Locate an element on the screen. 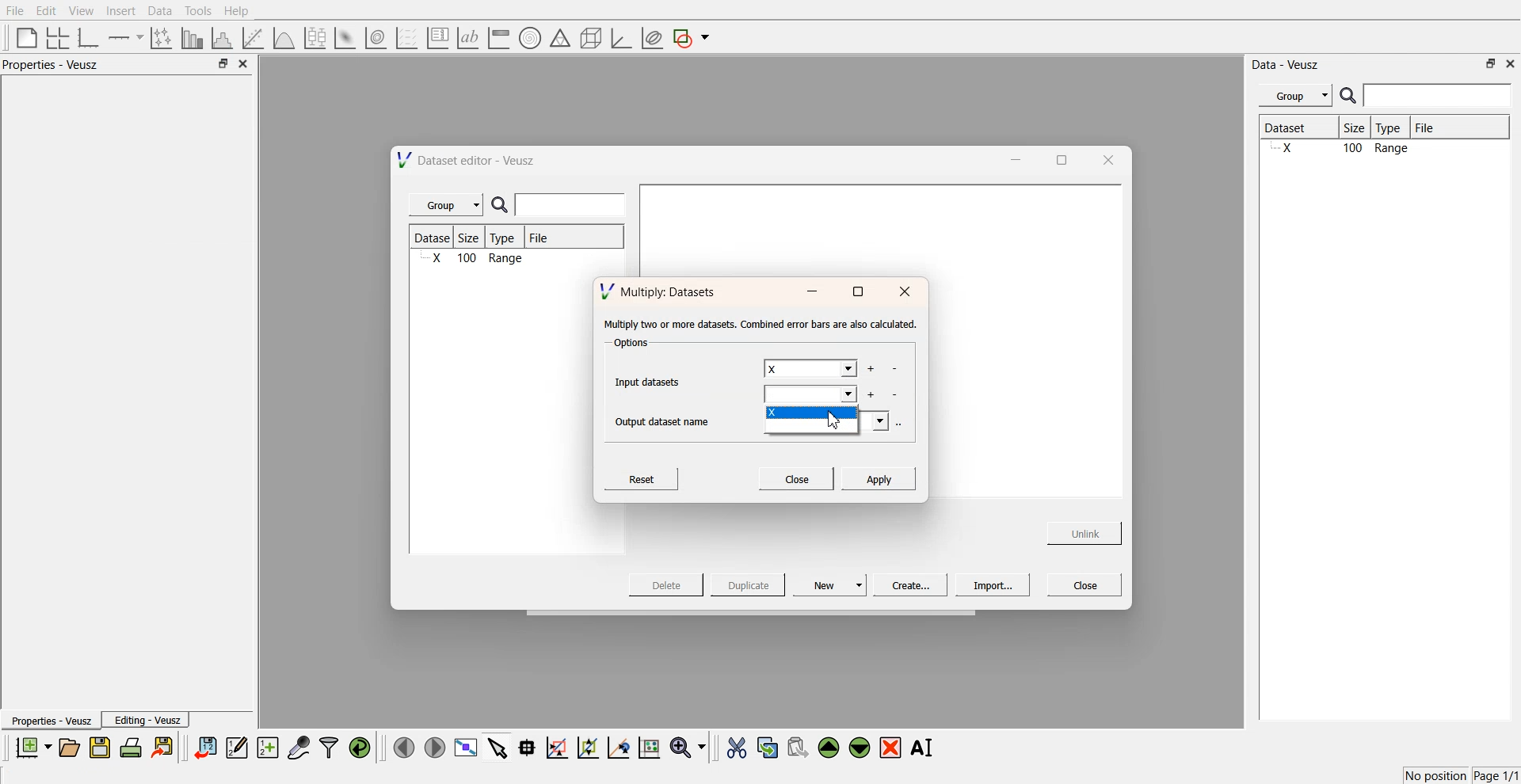 This screenshot has width=1521, height=784. Properties - Veusz is located at coordinates (55, 65).